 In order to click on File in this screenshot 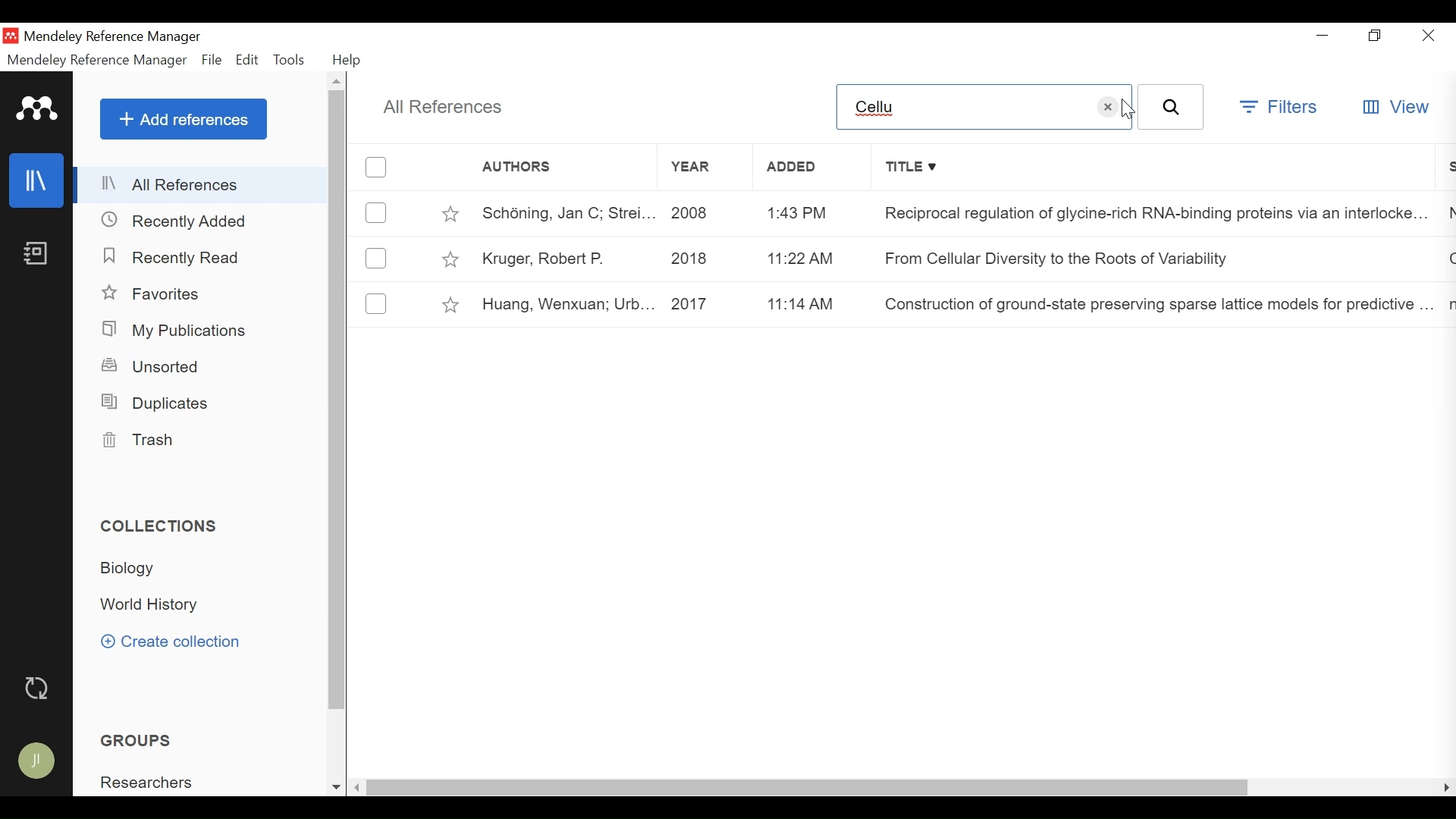, I will do `click(212, 61)`.